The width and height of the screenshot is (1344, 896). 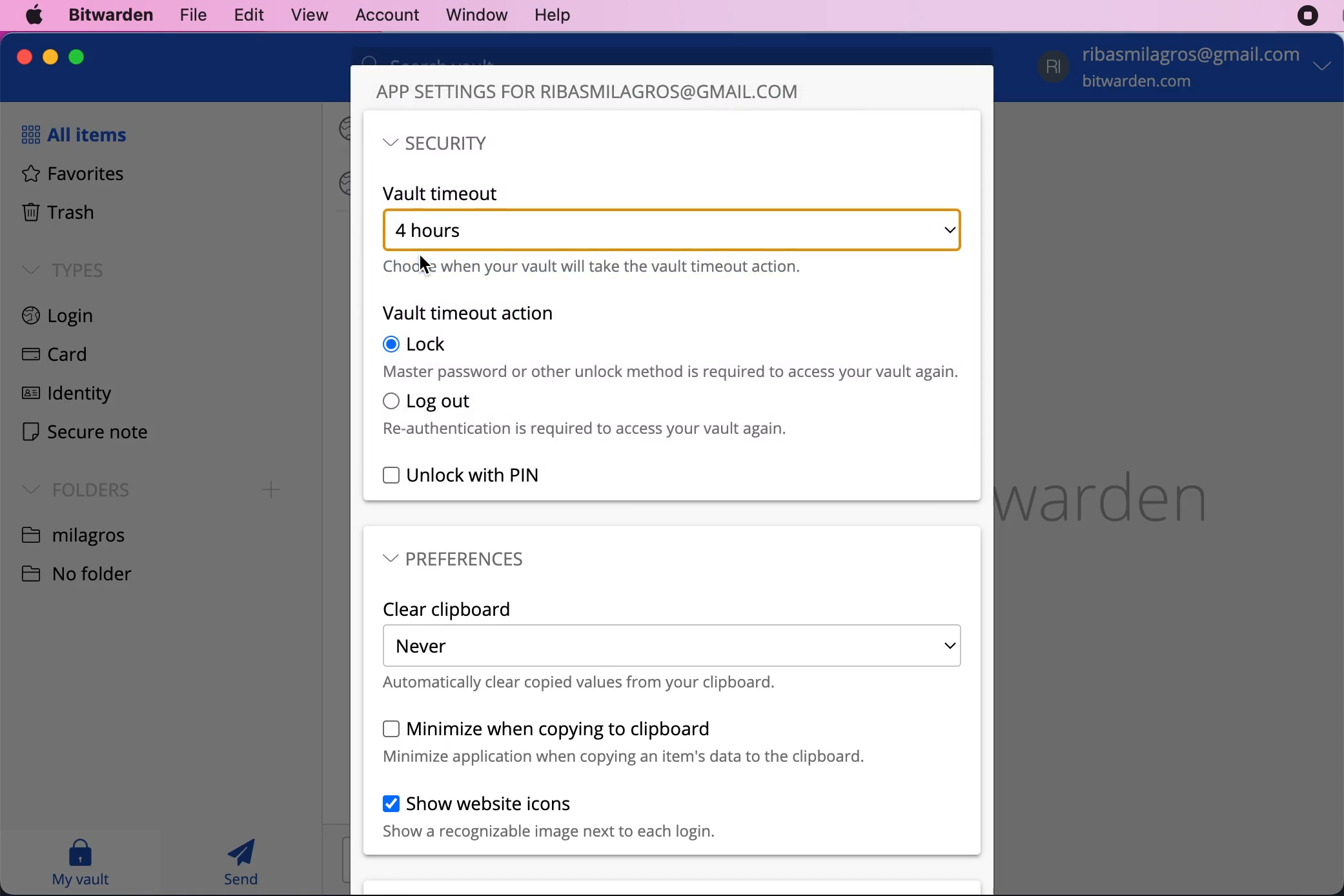 I want to click on maximize, so click(x=76, y=56).